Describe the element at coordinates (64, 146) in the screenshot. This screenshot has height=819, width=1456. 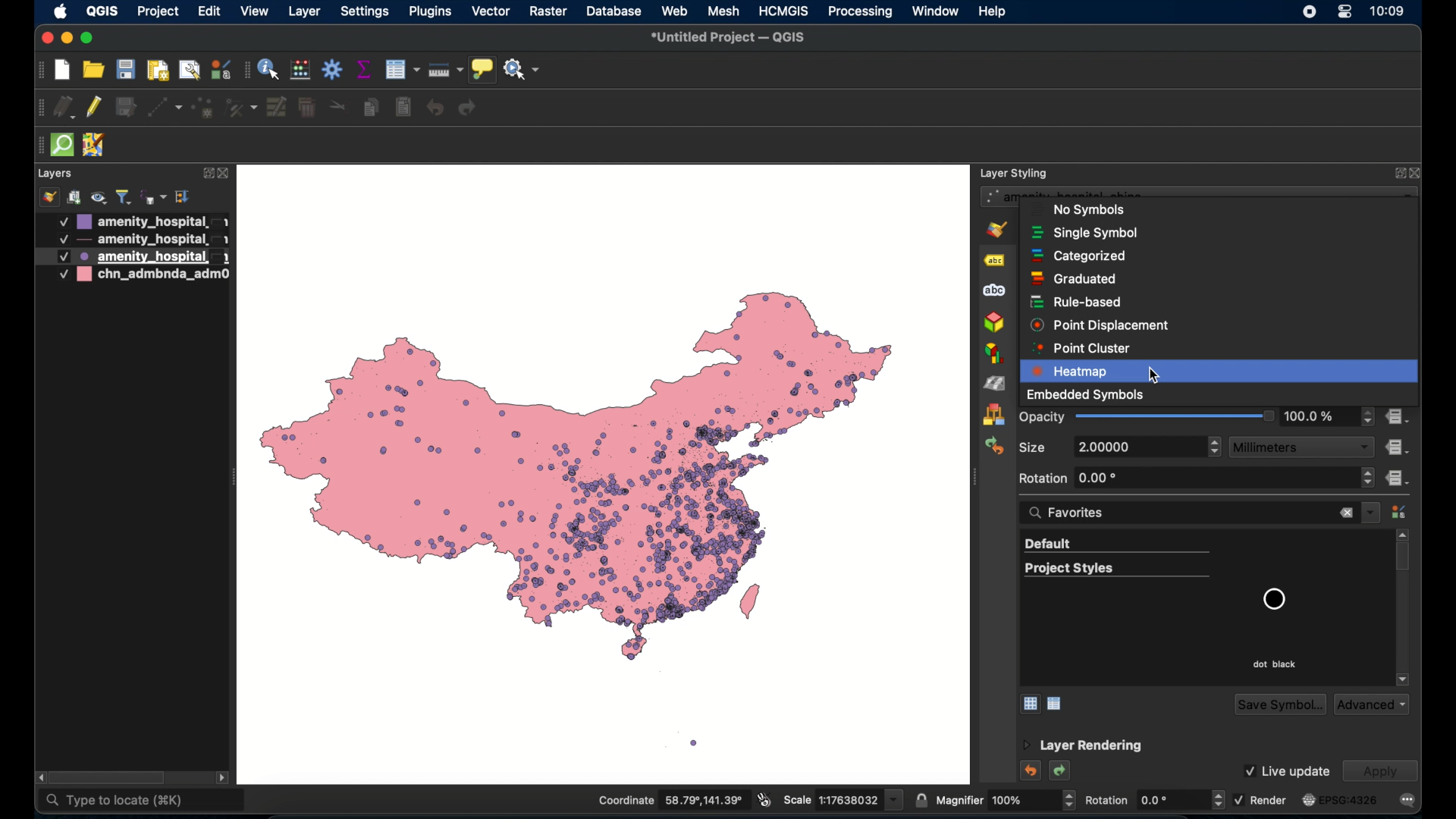
I see `quick som` at that location.